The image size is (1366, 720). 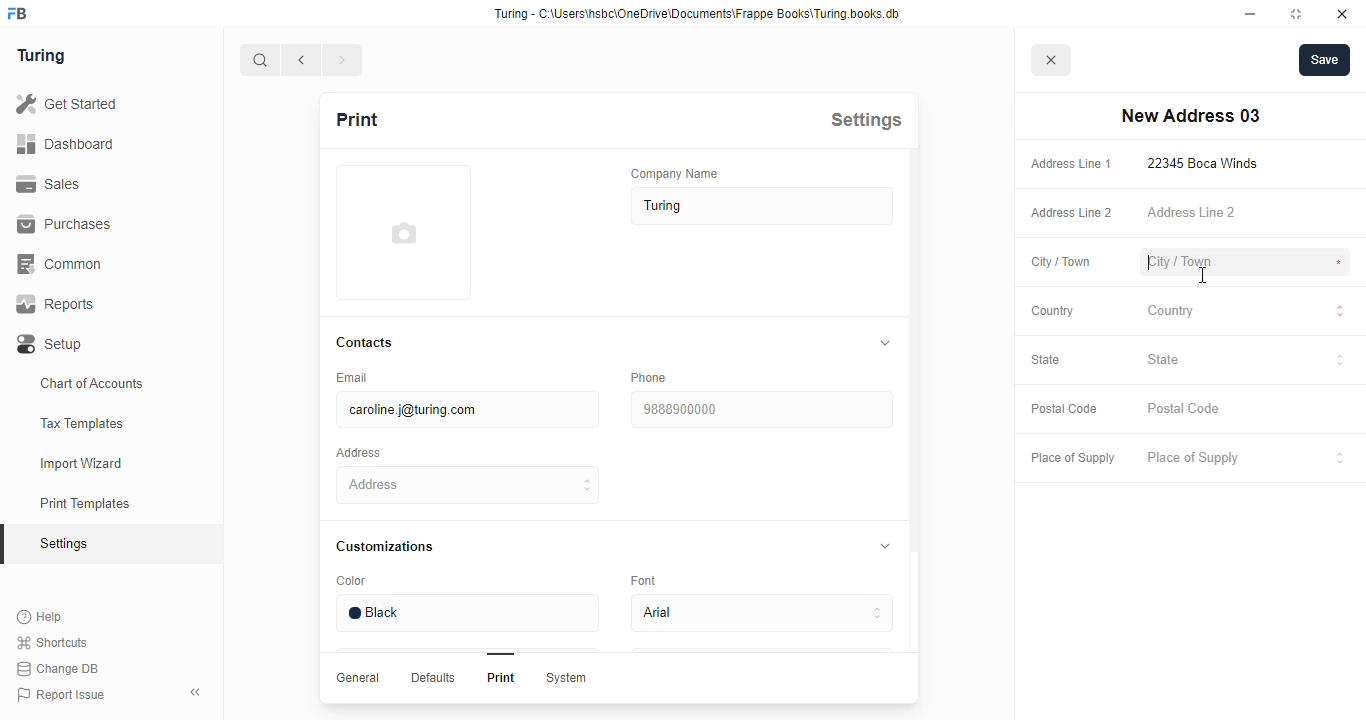 What do you see at coordinates (64, 224) in the screenshot?
I see `purchases` at bounding box center [64, 224].